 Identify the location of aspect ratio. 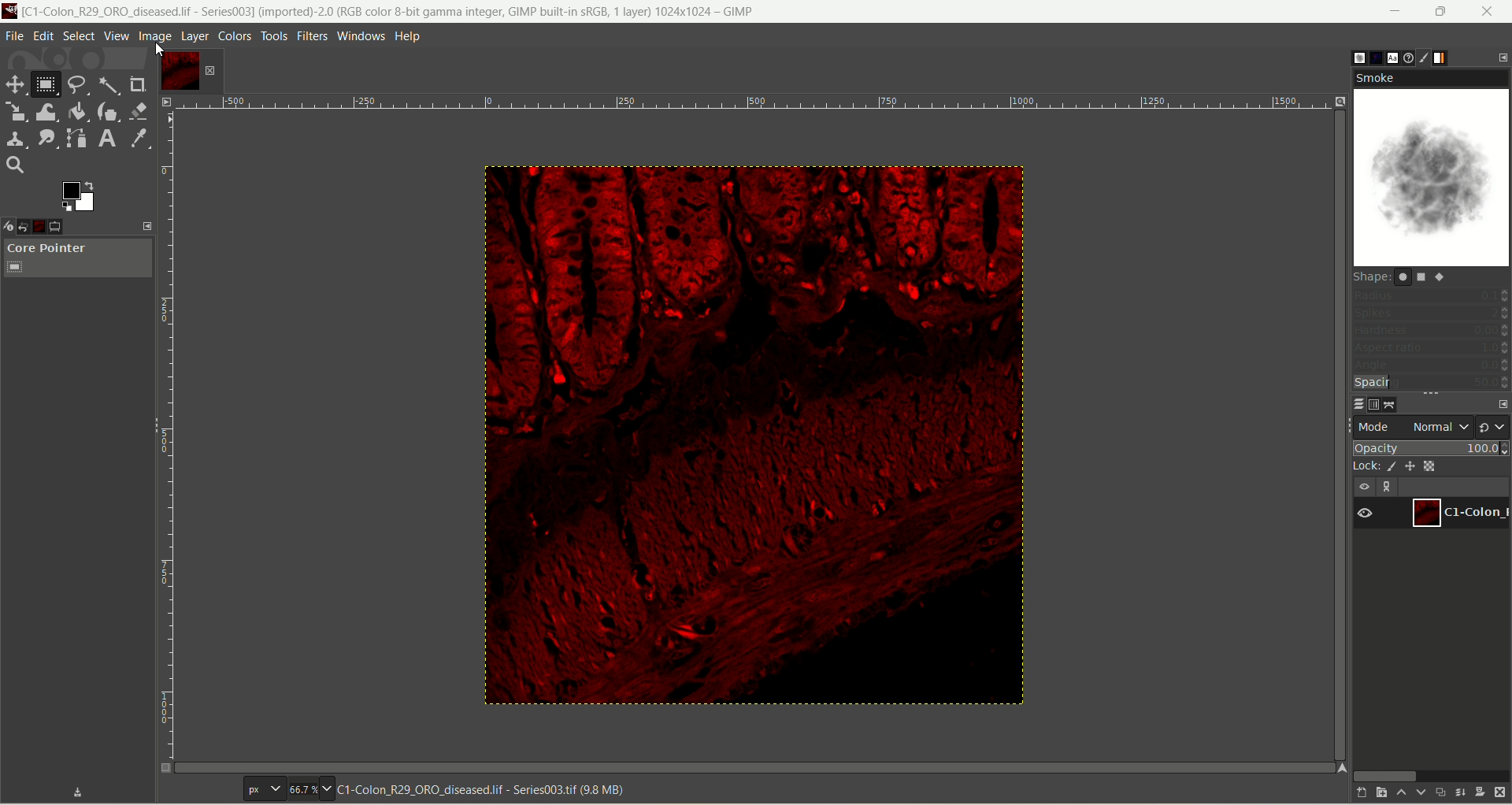
(1432, 347).